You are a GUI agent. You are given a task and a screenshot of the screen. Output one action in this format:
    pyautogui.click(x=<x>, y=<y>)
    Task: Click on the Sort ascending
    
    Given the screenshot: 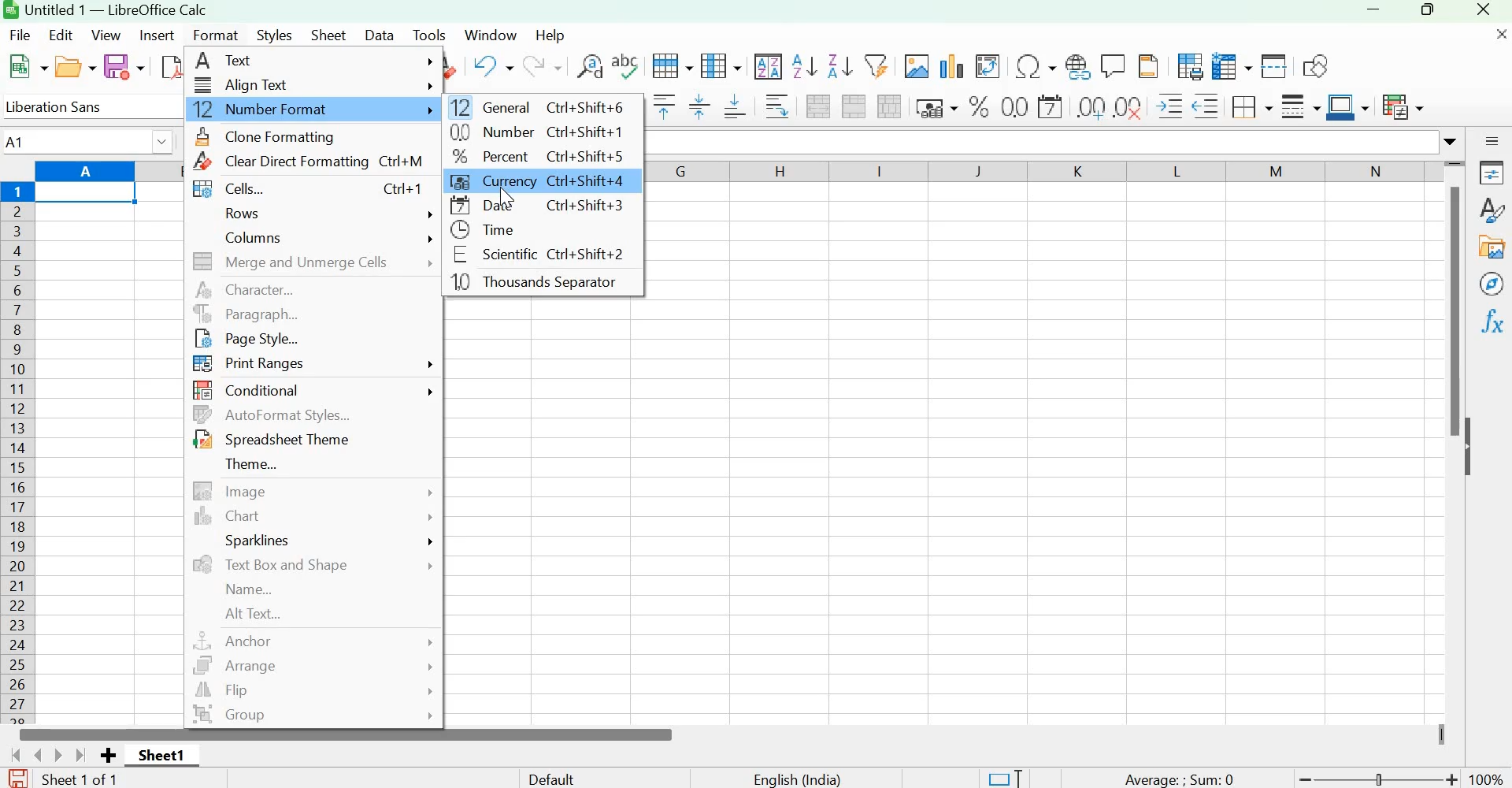 What is the action you would take?
    pyautogui.click(x=806, y=66)
    